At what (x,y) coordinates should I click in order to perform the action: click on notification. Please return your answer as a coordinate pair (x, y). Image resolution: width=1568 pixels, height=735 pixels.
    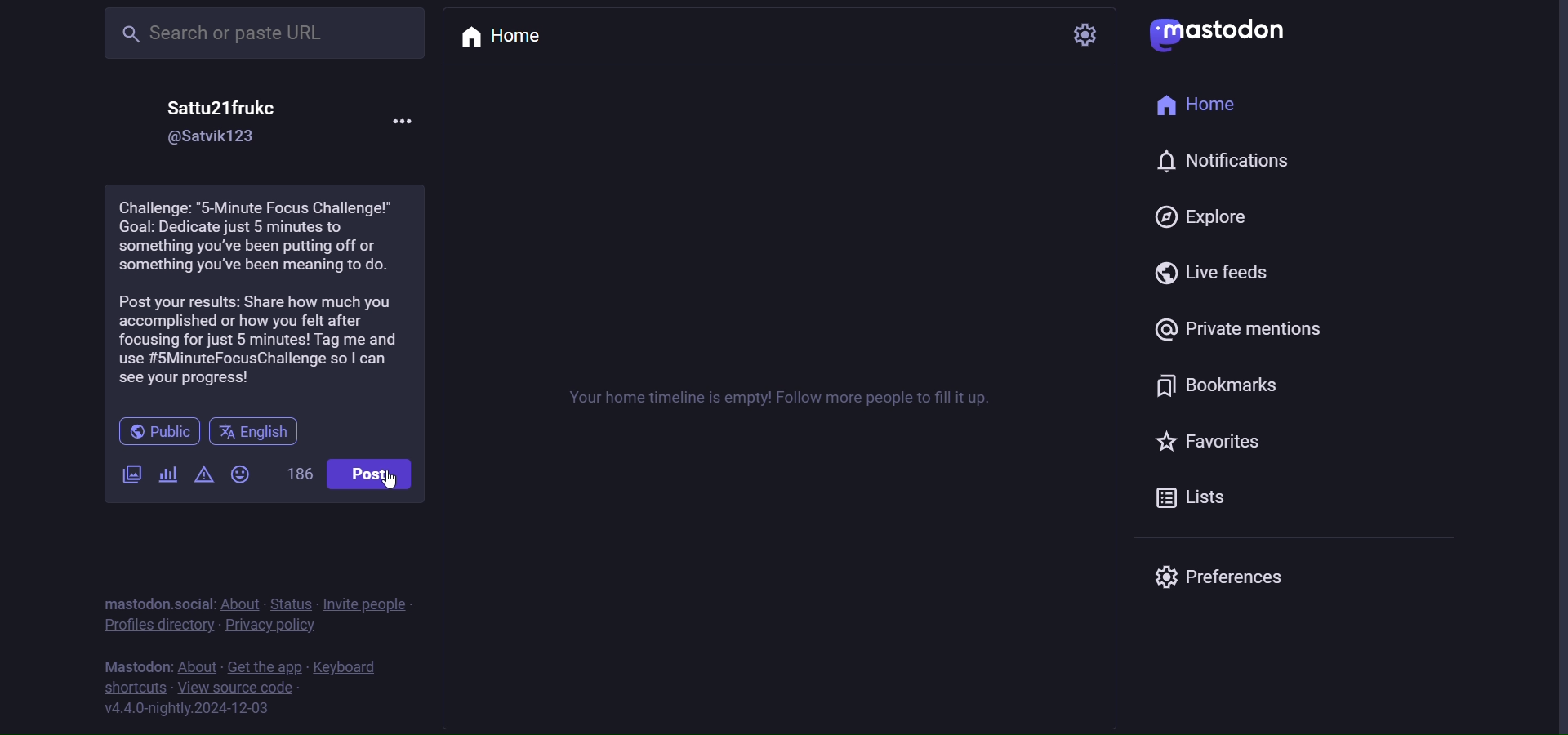
    Looking at the image, I should click on (1223, 163).